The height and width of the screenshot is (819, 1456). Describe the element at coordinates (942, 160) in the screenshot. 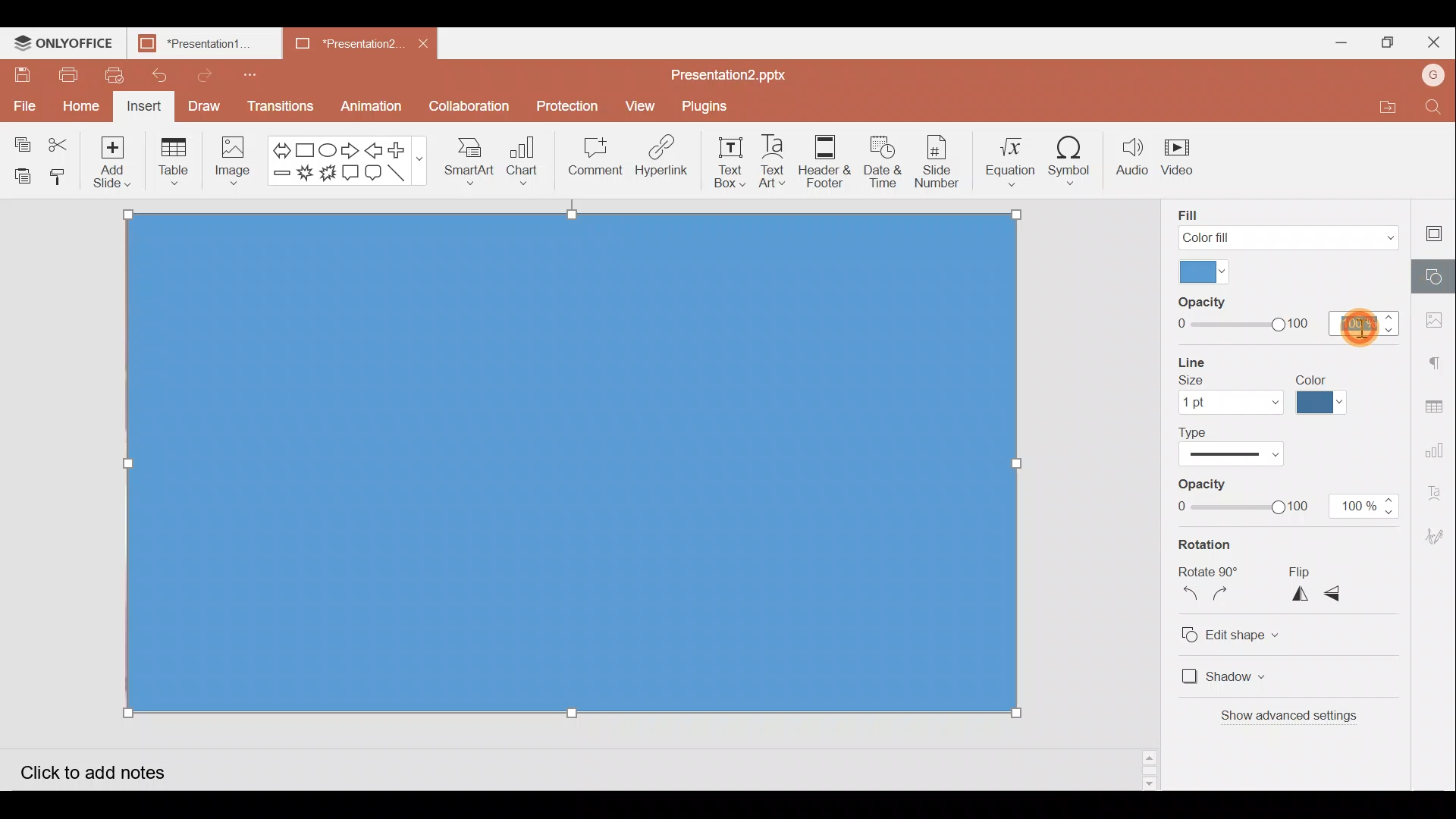

I see `Slide number` at that location.